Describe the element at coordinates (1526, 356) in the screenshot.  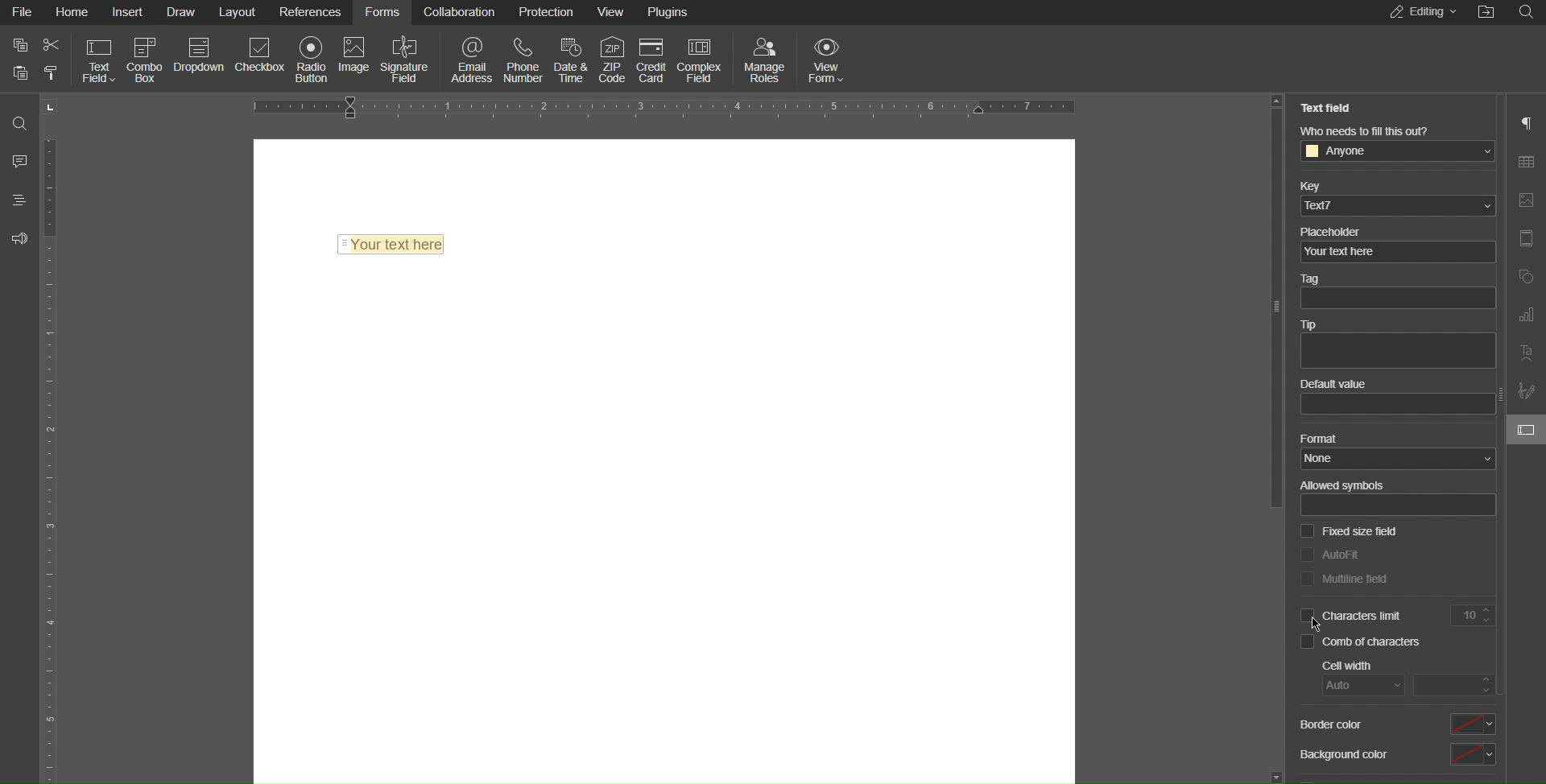
I see `Text Art` at that location.